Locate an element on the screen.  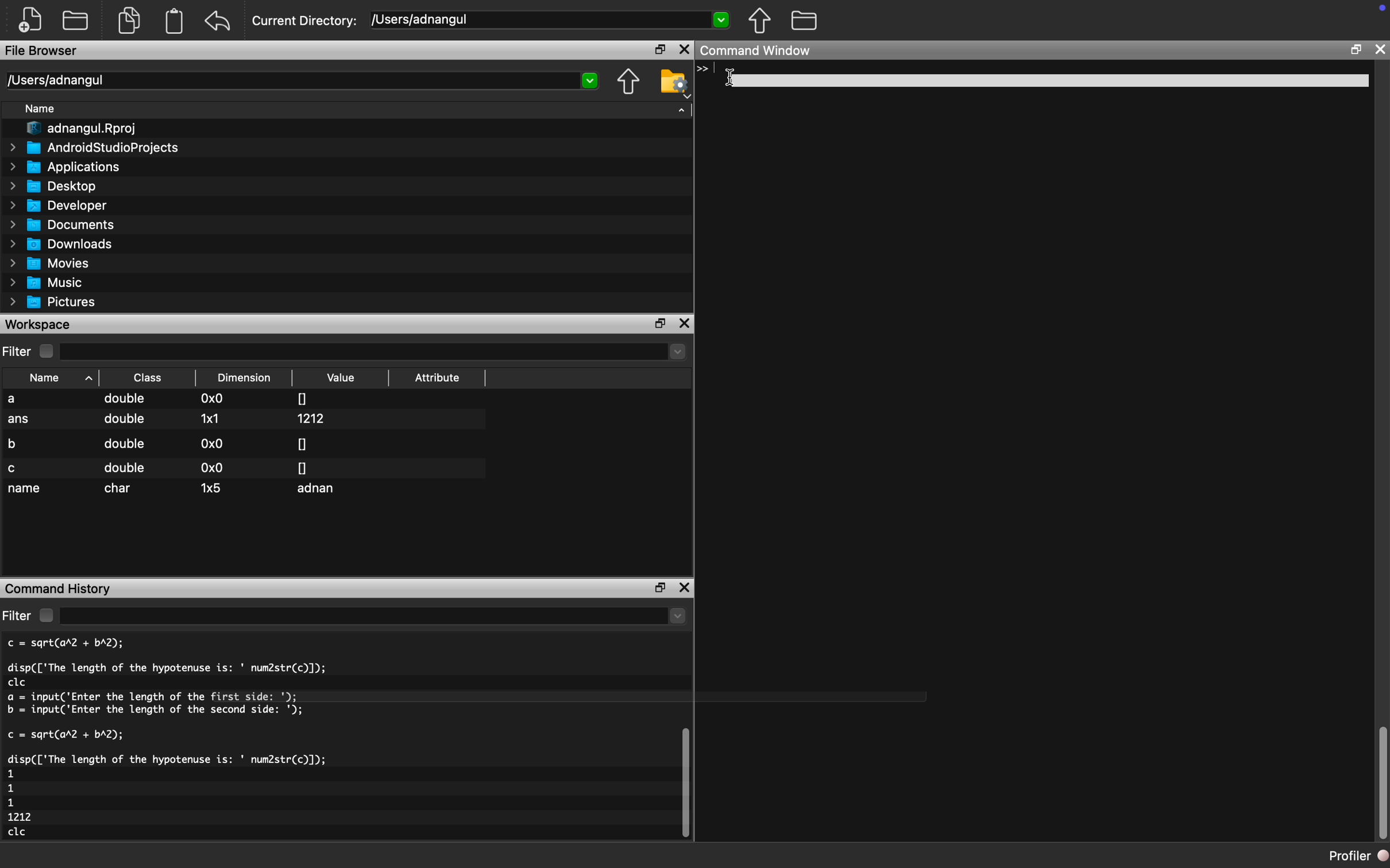
restore down is located at coordinates (662, 324).